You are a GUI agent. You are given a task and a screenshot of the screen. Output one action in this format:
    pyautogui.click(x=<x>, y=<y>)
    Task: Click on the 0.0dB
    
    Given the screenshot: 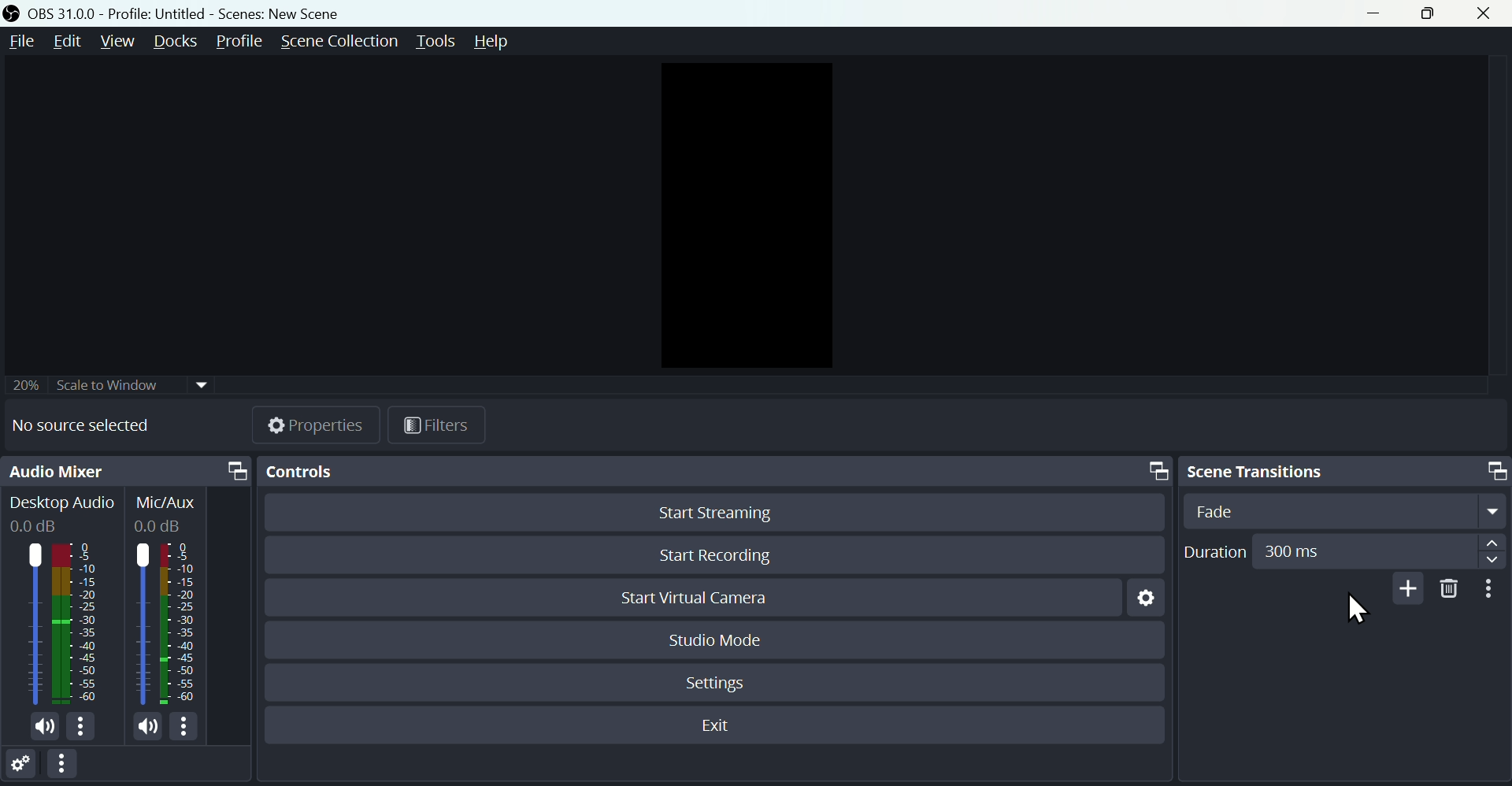 What is the action you would take?
    pyautogui.click(x=35, y=528)
    